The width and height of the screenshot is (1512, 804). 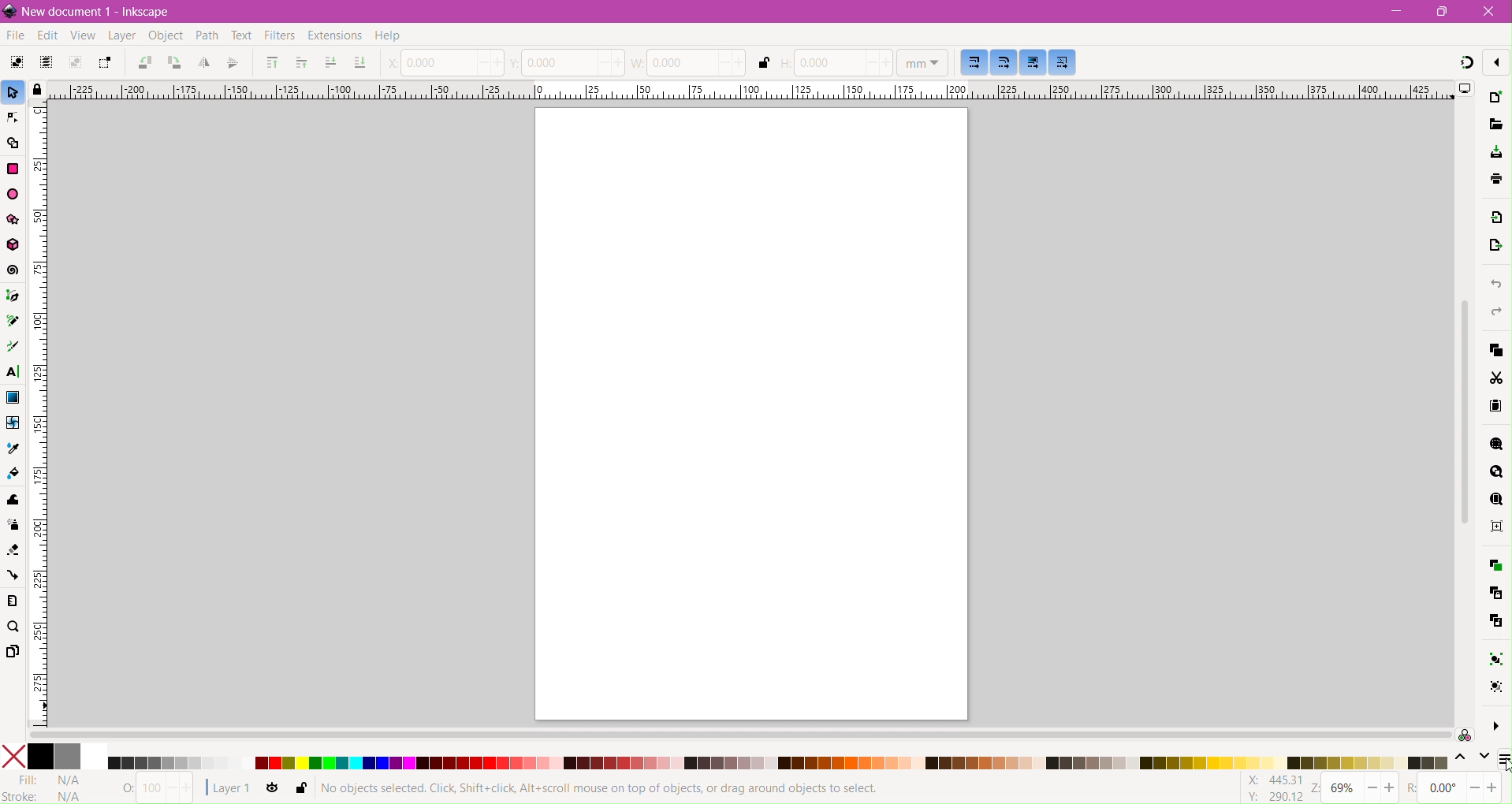 What do you see at coordinates (975, 61) in the screenshot?
I see `When scaling objects, scale the stroke width by the same proportion` at bounding box center [975, 61].